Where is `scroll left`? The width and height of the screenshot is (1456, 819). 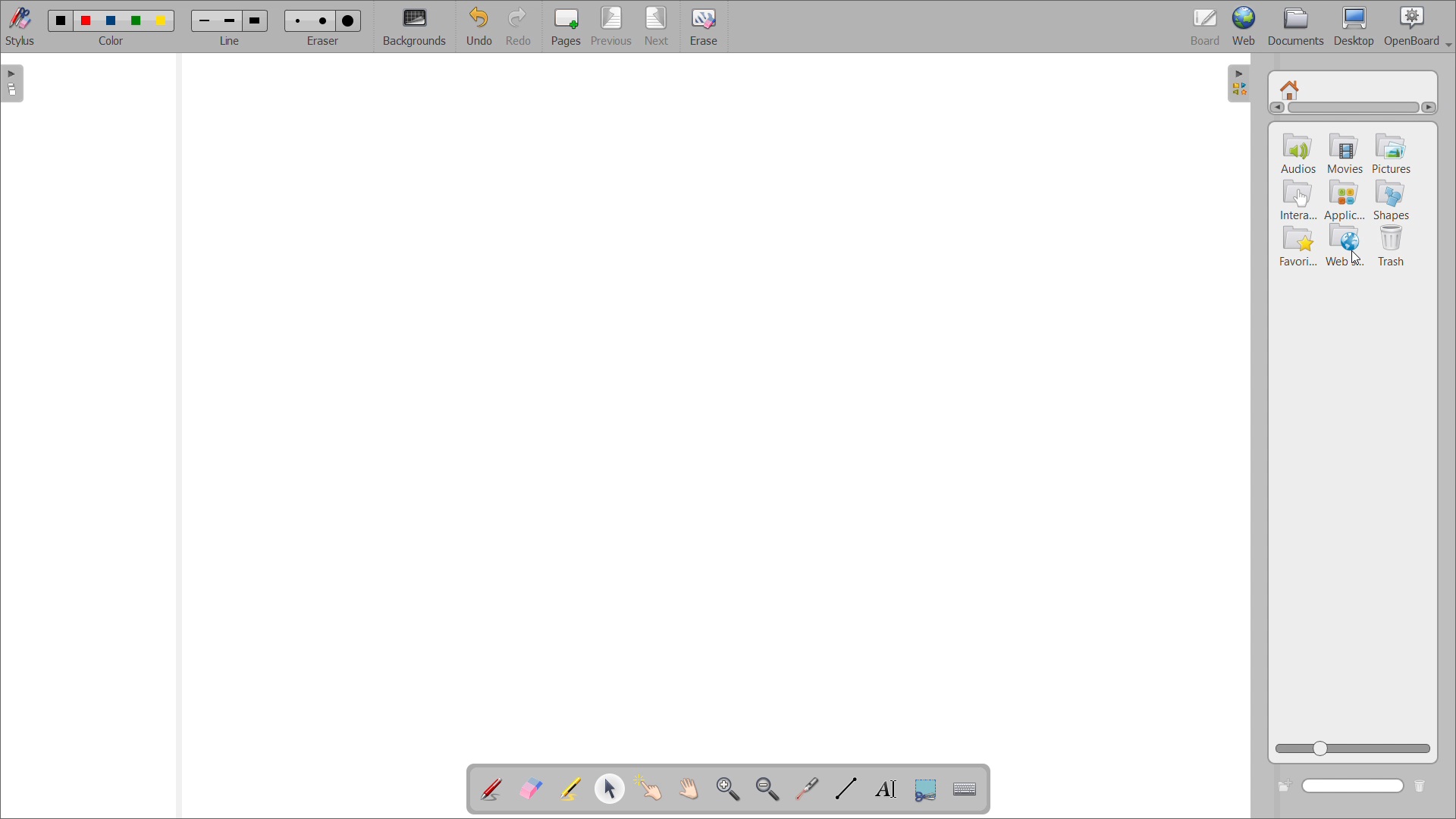 scroll left is located at coordinates (1276, 108).